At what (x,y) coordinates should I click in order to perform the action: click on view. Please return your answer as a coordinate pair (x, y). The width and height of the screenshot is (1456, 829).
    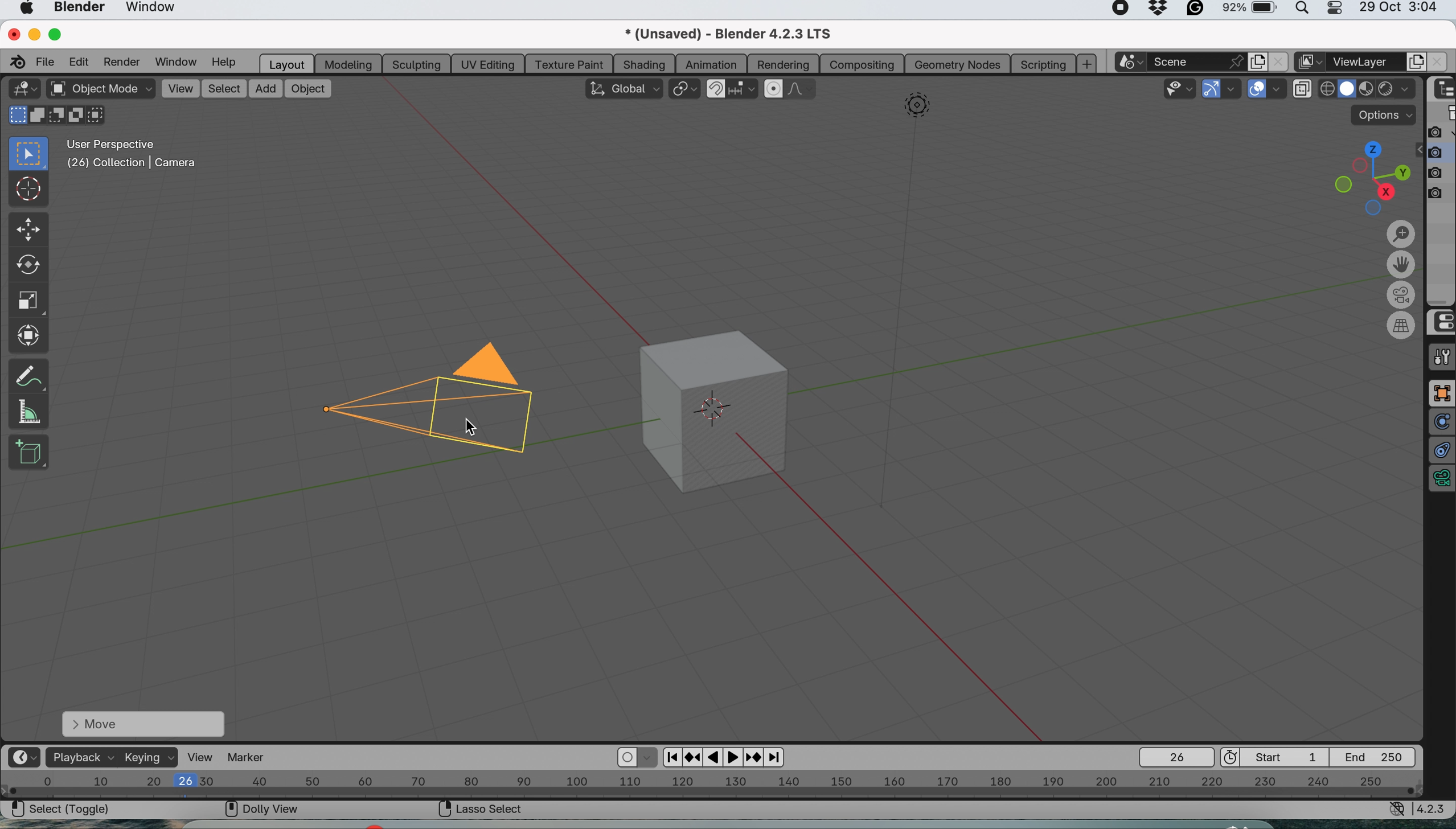
    Looking at the image, I should click on (180, 88).